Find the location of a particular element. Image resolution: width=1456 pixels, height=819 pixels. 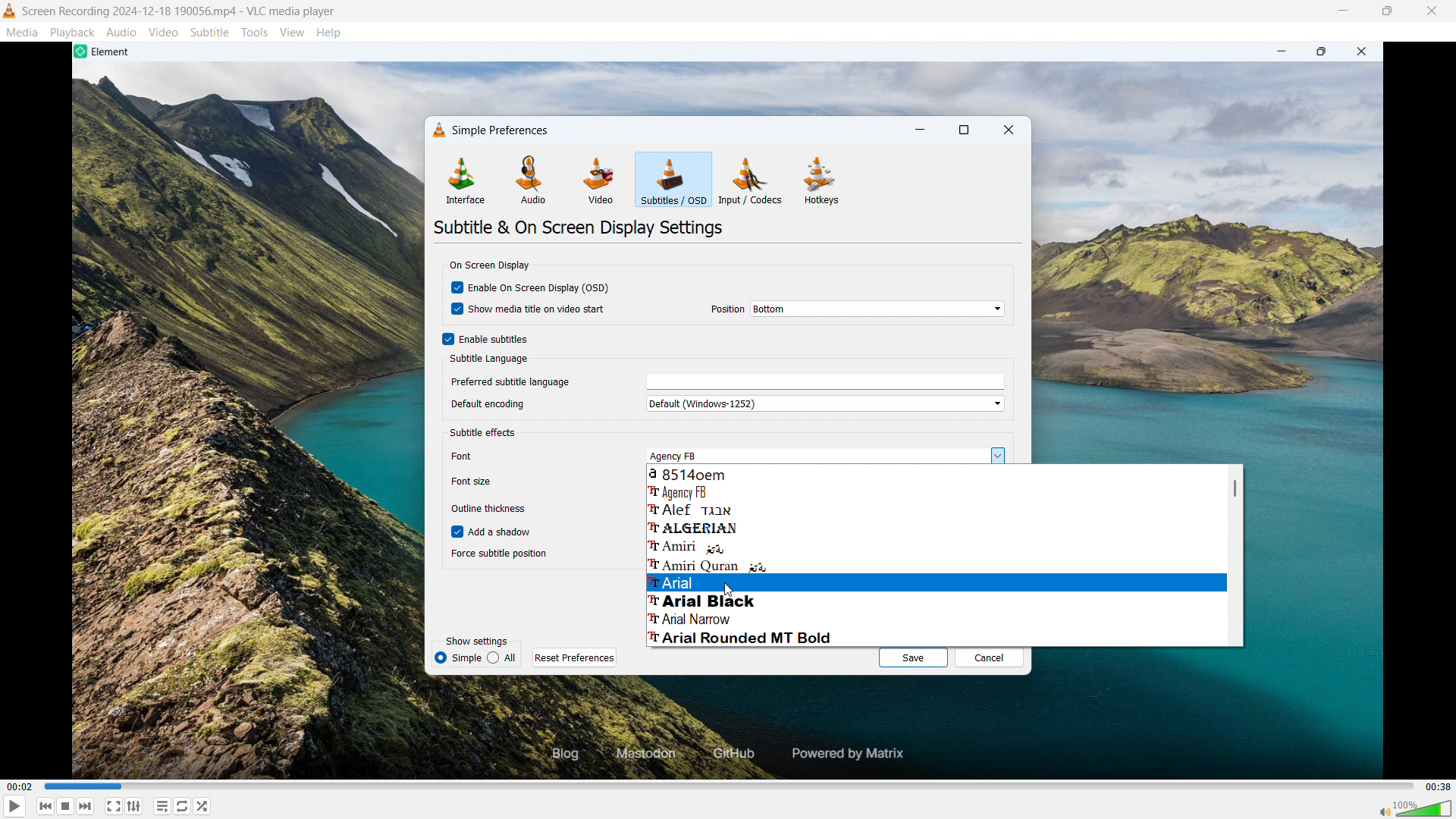

video playback is located at coordinates (736, 728).